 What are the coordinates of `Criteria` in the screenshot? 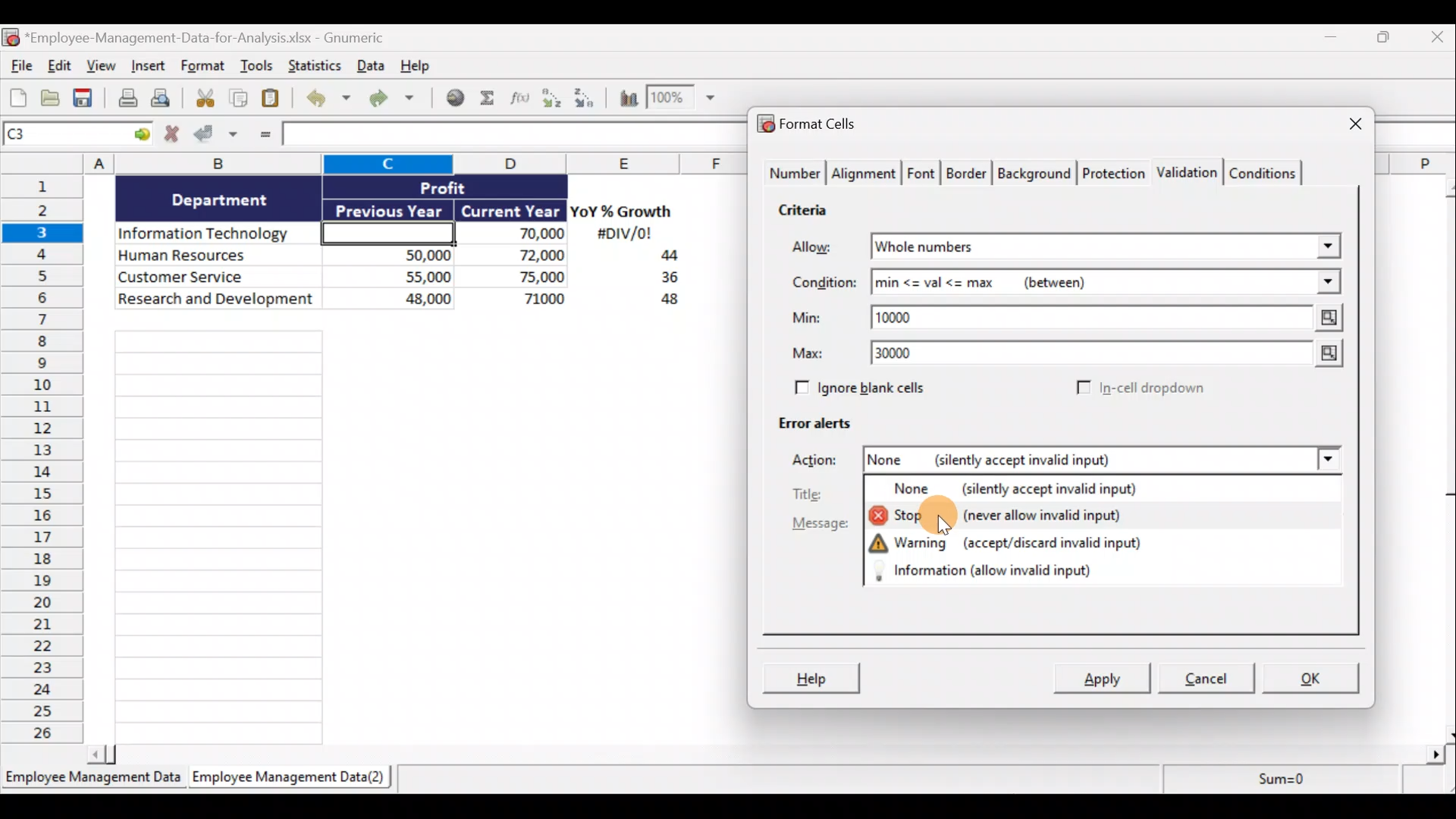 It's located at (805, 212).